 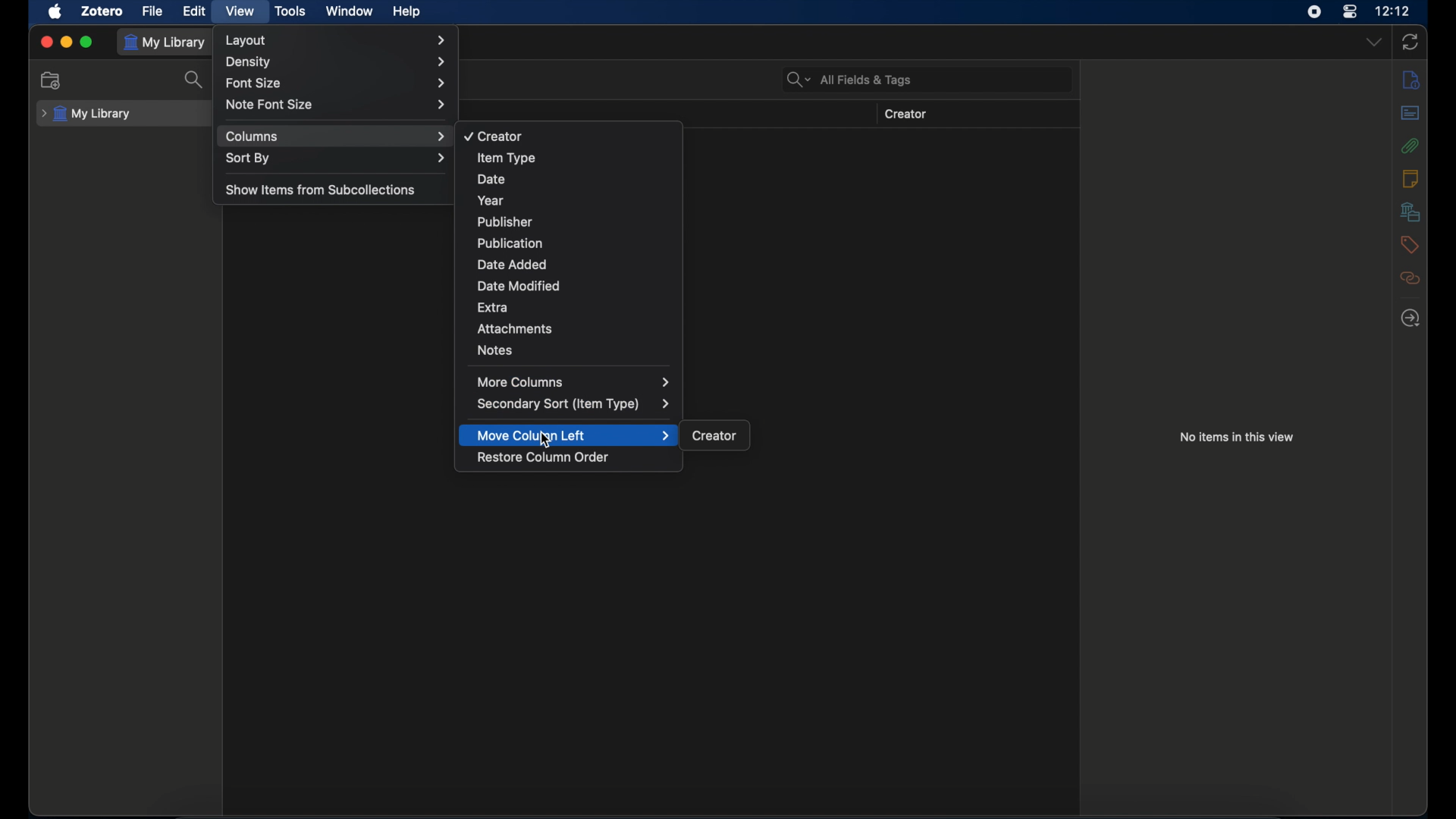 What do you see at coordinates (492, 136) in the screenshot?
I see `creator` at bounding box center [492, 136].